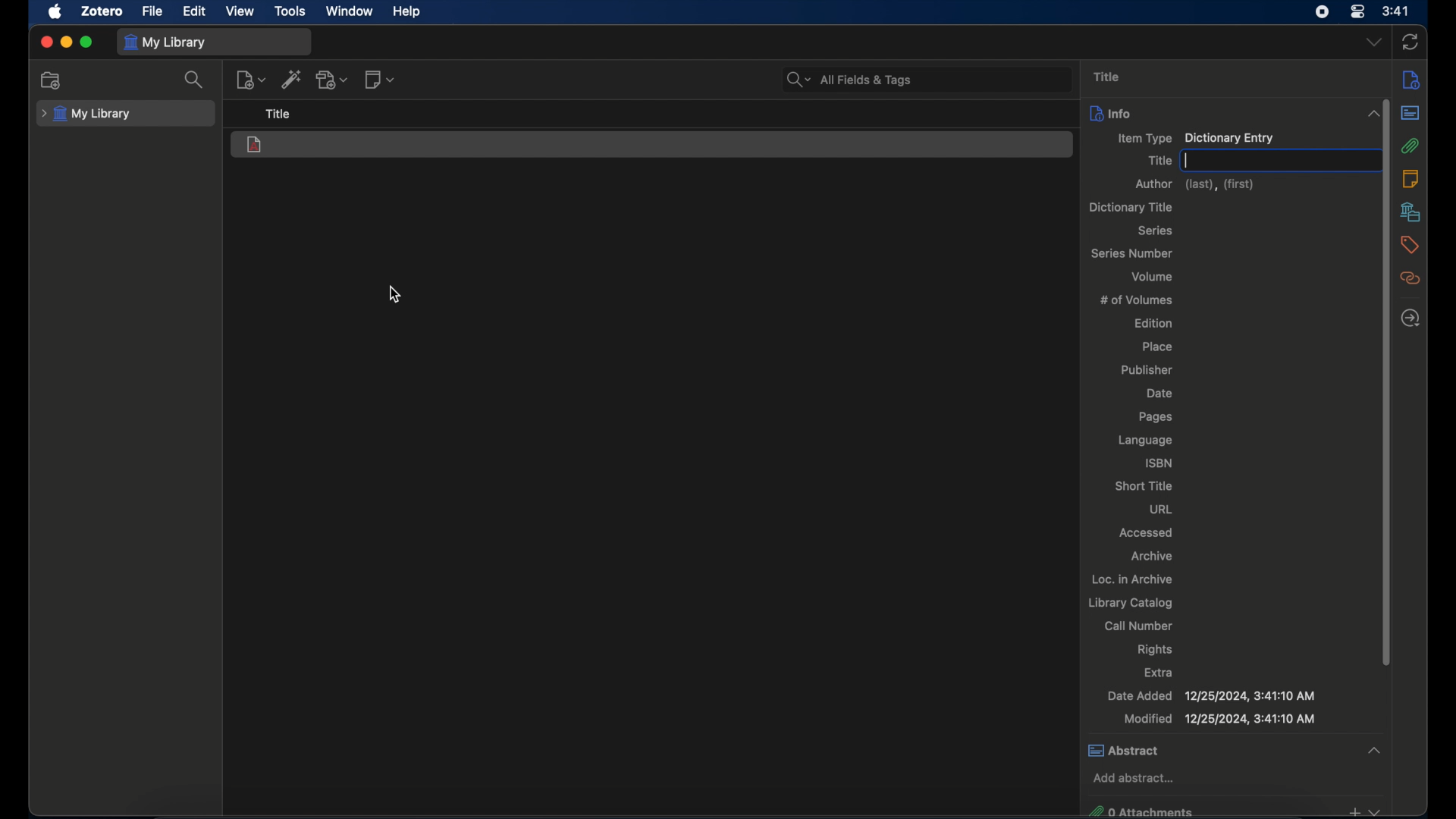 The image size is (1456, 819). Describe the element at coordinates (45, 42) in the screenshot. I see `close` at that location.